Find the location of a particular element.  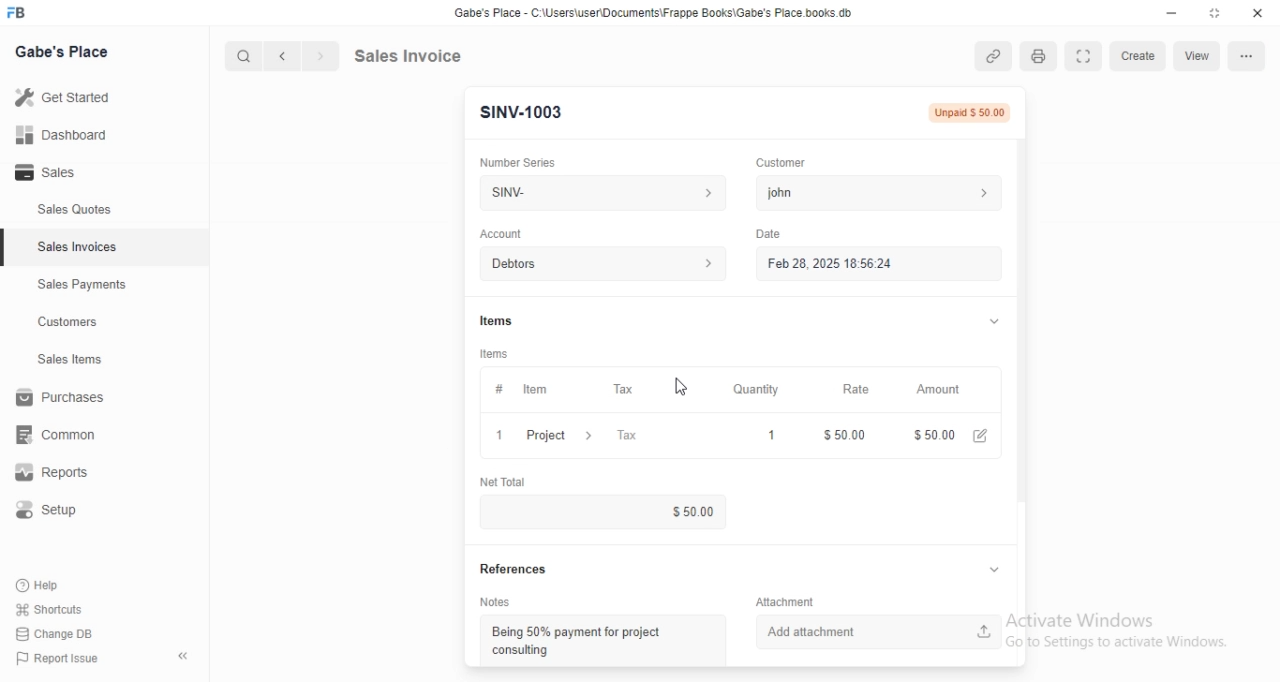

Gabe's Place is located at coordinates (66, 50).